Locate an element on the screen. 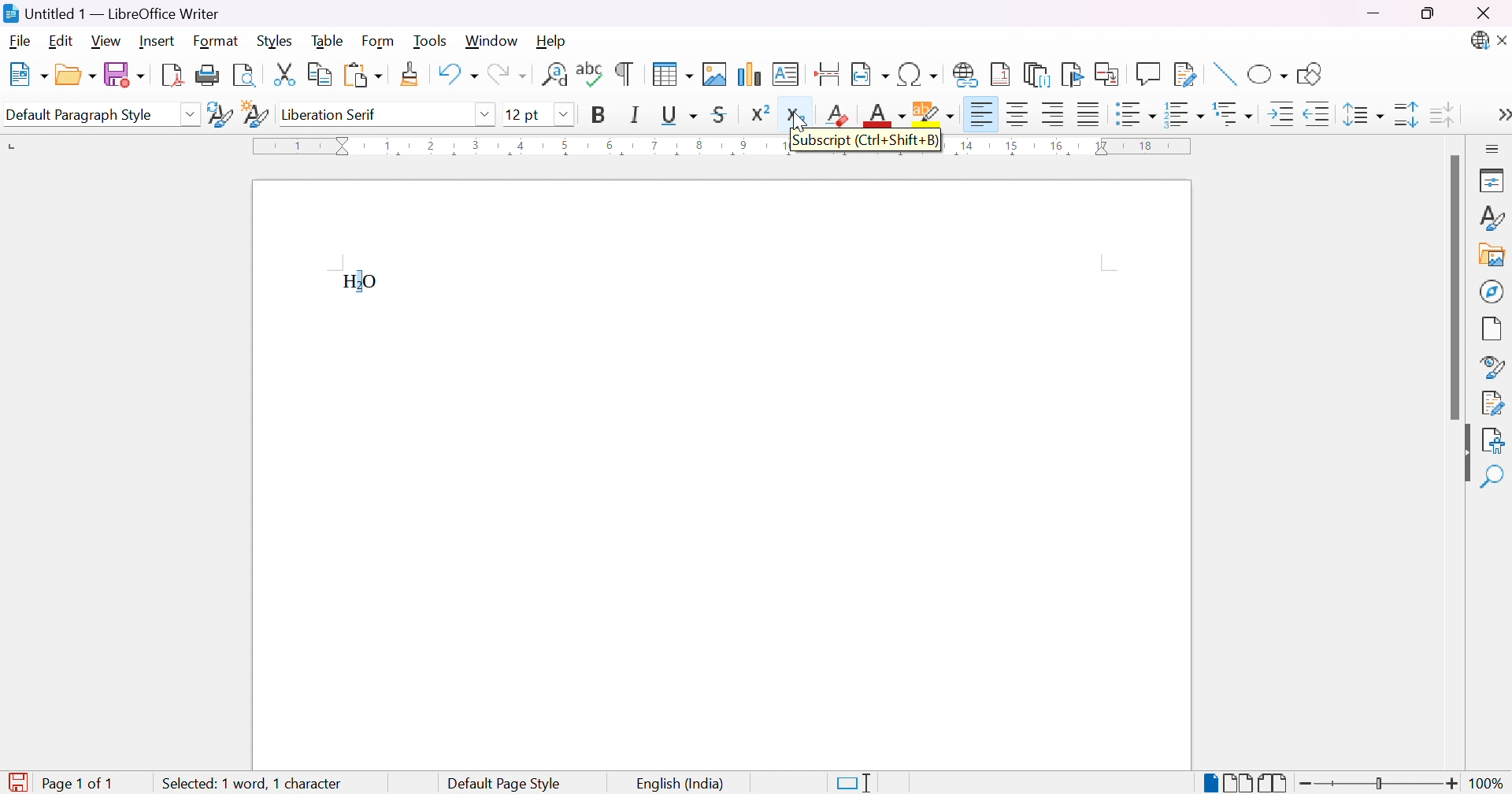 The image size is (1512, 794). Increase paragraph spacing is located at coordinates (1408, 114).